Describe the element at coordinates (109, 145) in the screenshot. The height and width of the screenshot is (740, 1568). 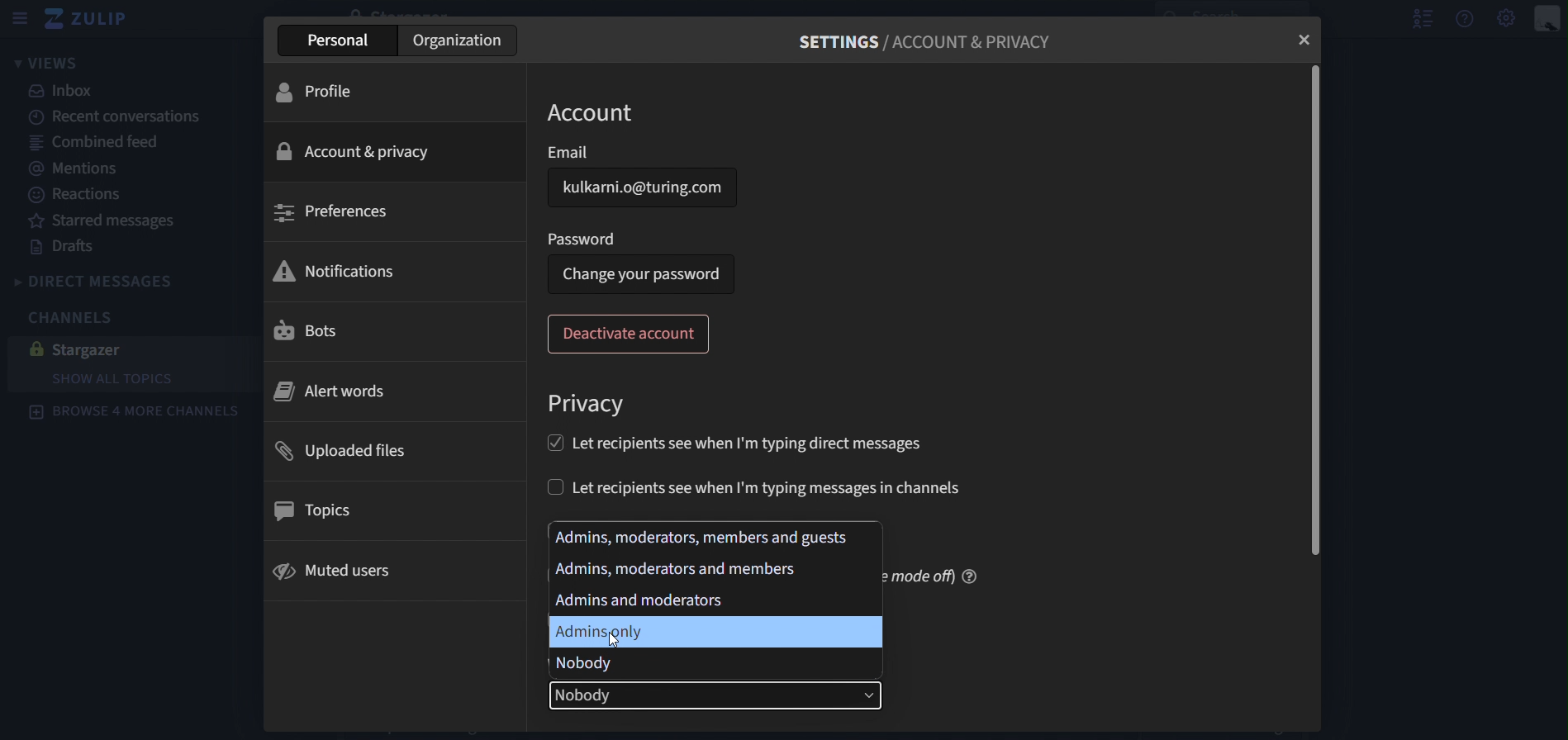
I see `combined feed` at that location.